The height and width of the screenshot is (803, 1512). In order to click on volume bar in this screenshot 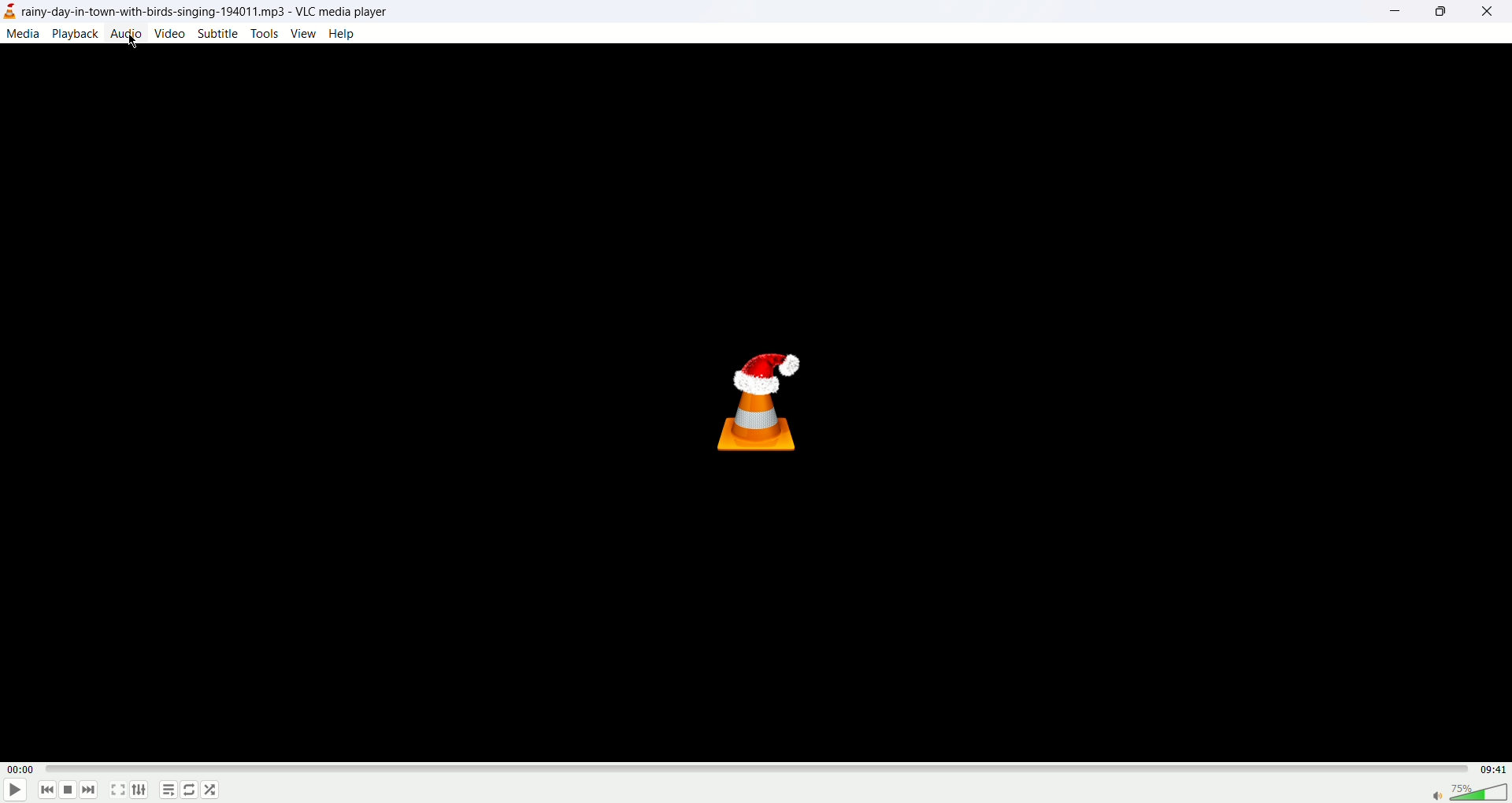, I will do `click(1470, 791)`.